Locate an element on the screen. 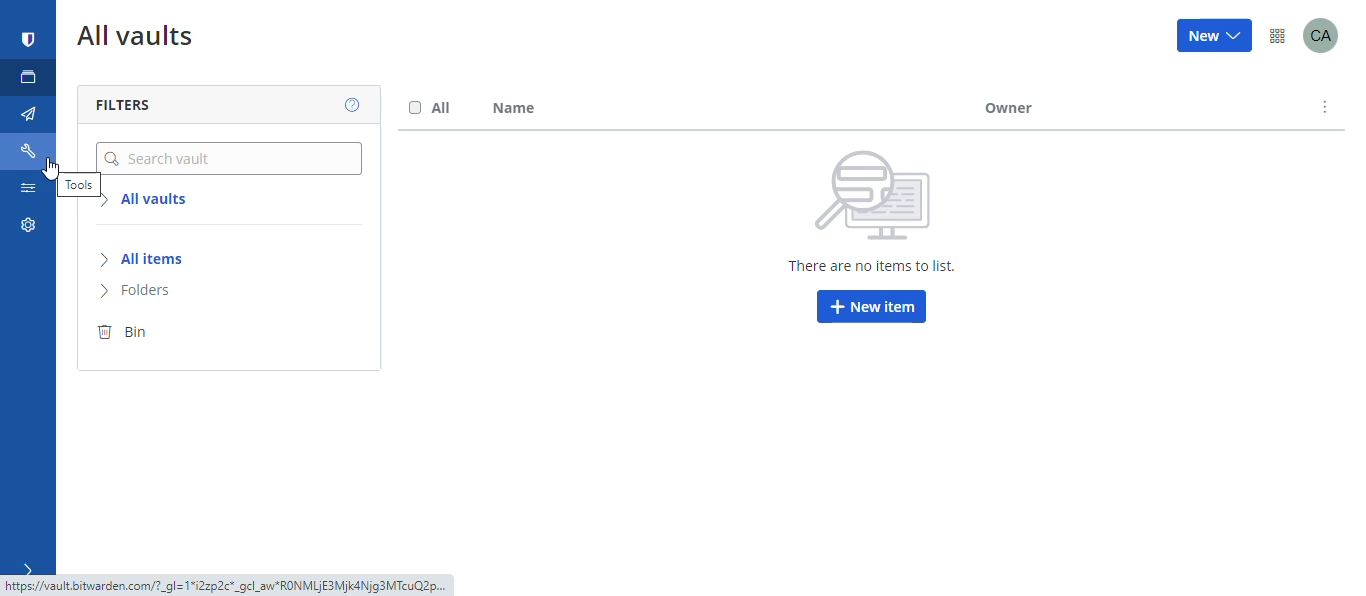 This screenshot has width=1366, height=596. Name is located at coordinates (519, 110).